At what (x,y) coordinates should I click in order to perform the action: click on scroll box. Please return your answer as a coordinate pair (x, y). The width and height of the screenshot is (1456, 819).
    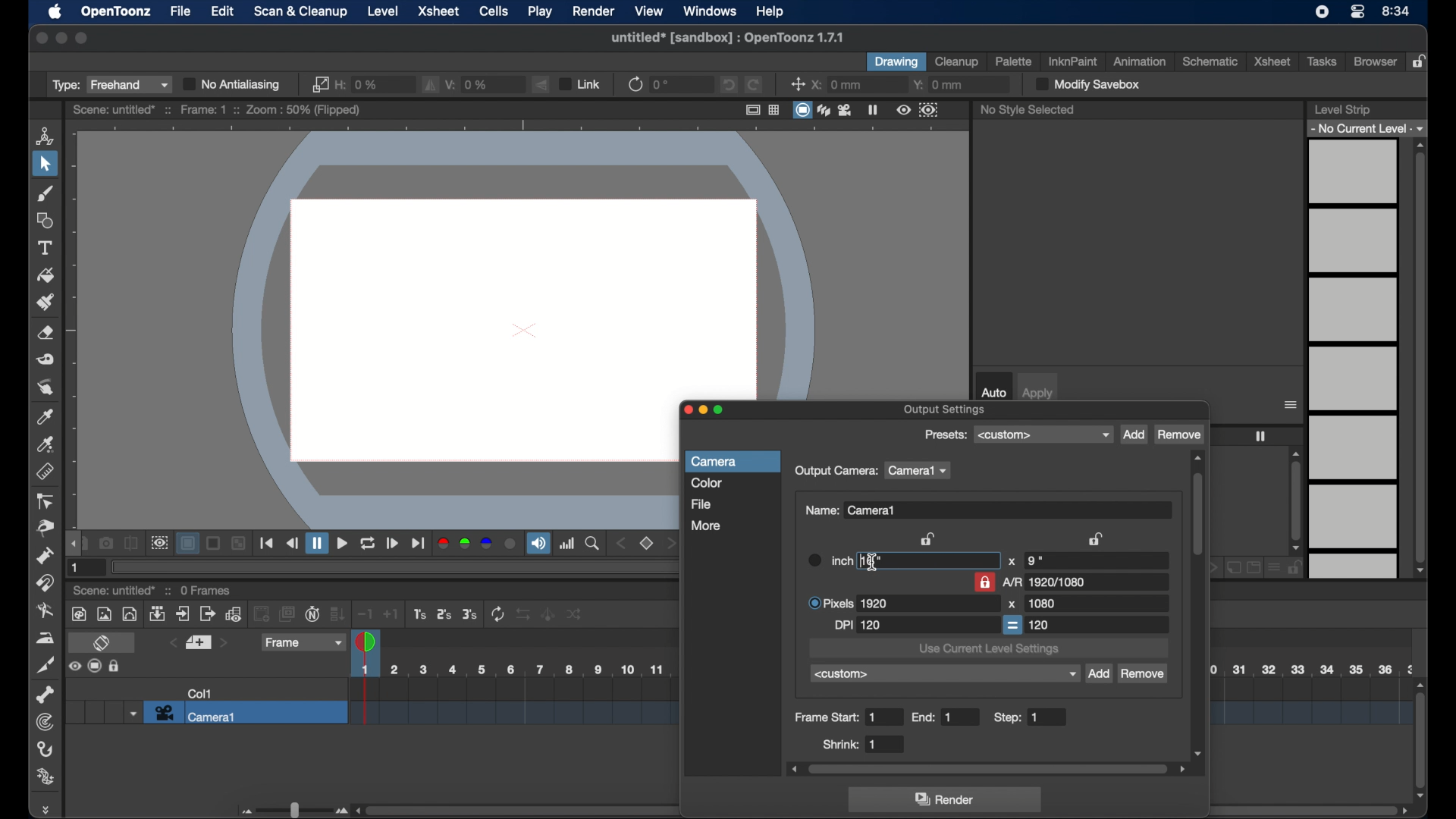
    Looking at the image, I should click on (1296, 500).